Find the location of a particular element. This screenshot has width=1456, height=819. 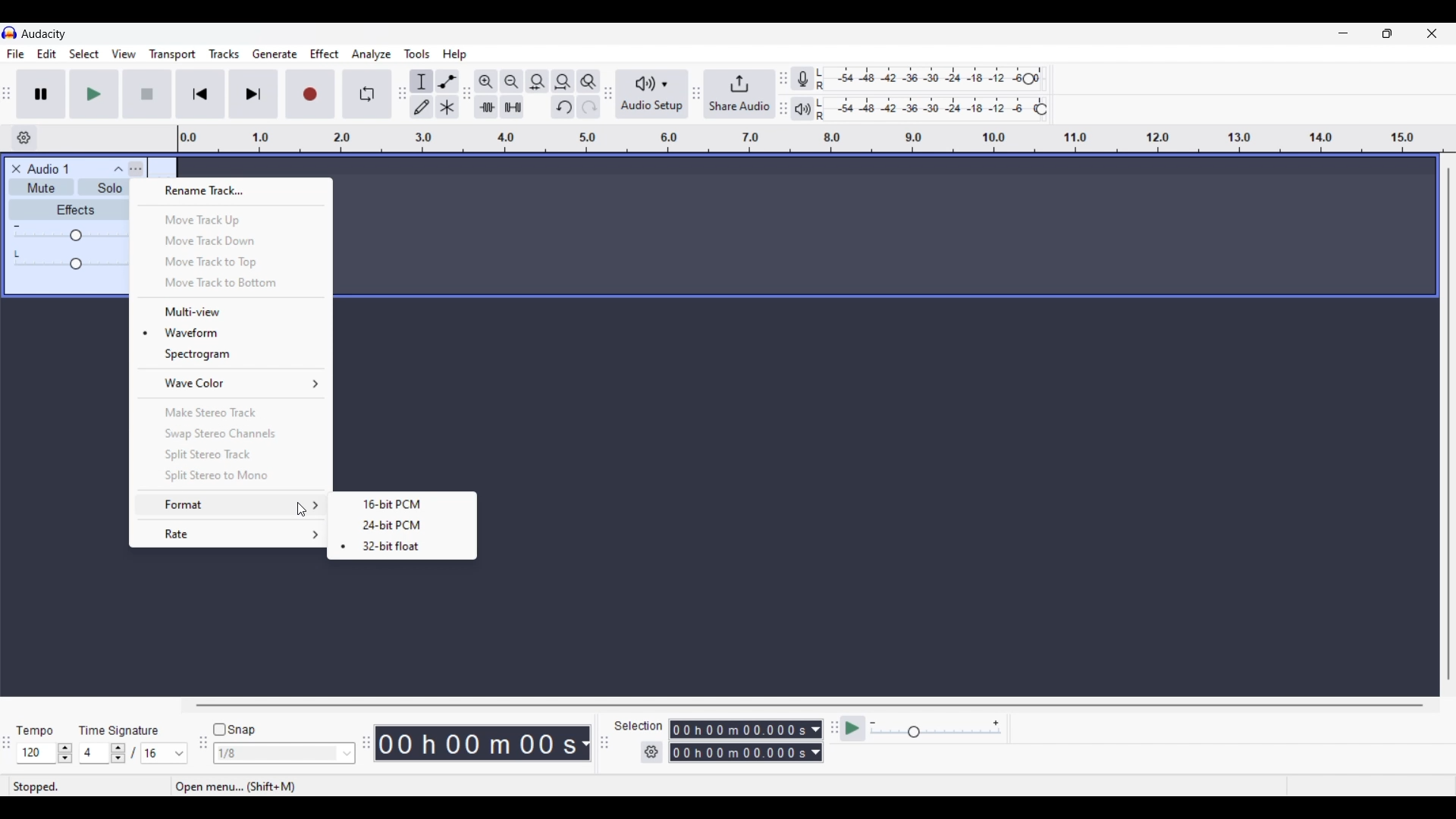

Help menu is located at coordinates (454, 55).